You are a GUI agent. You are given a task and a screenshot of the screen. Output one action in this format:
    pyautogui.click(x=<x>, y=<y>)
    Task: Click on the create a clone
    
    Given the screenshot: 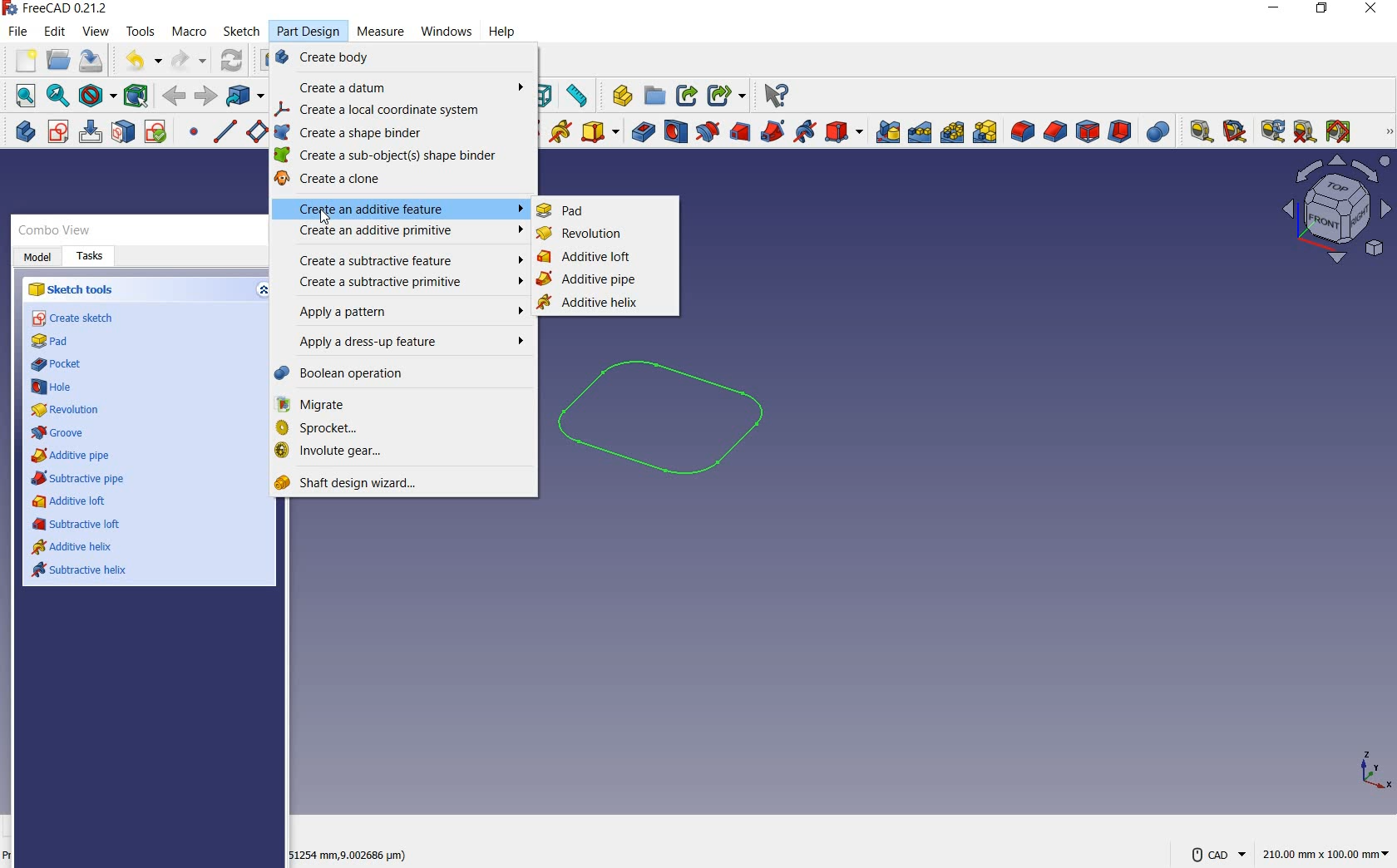 What is the action you would take?
    pyautogui.click(x=388, y=180)
    